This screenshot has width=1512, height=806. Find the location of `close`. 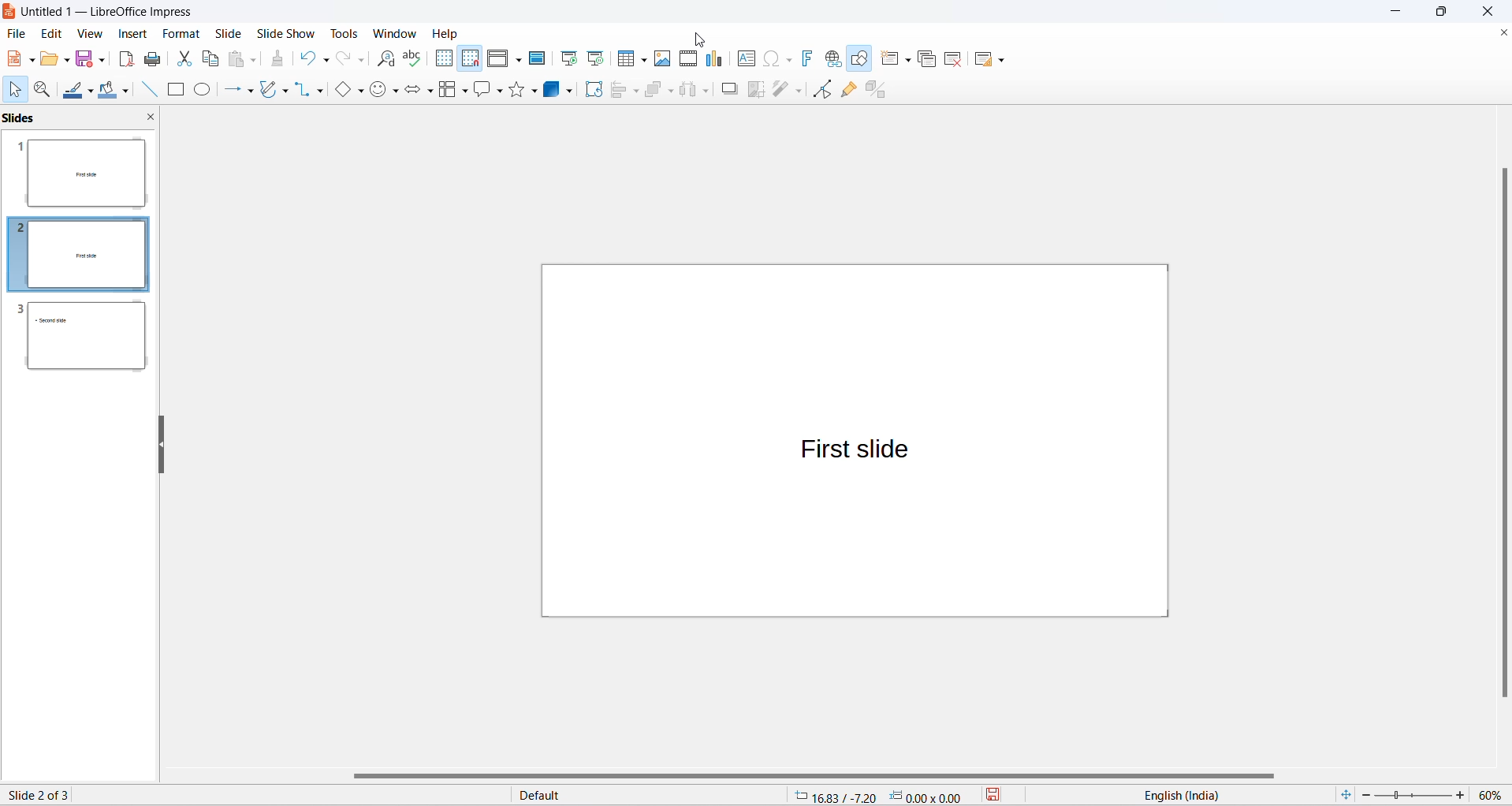

close is located at coordinates (1489, 12).